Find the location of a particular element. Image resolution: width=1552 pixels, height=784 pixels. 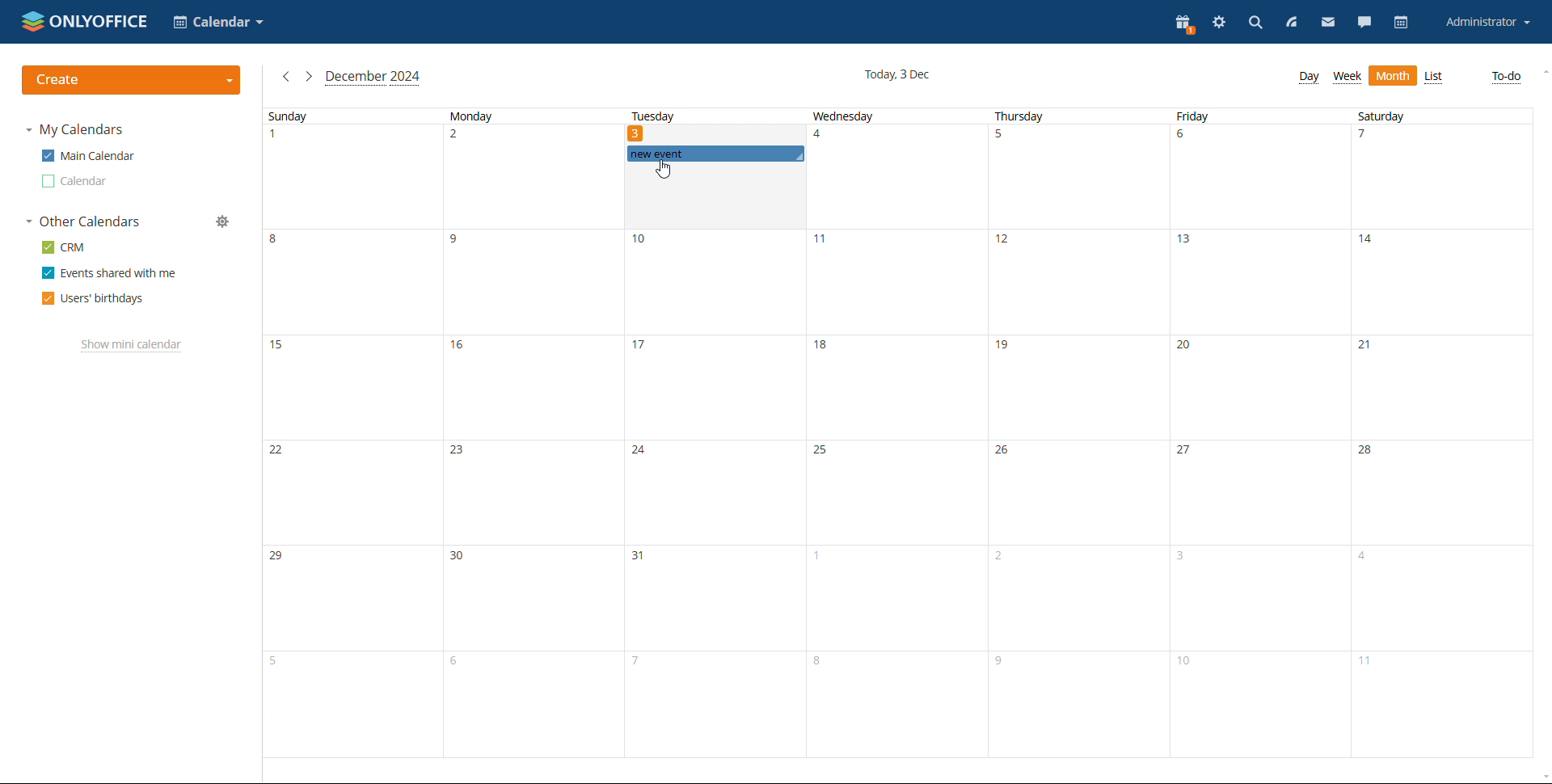

manage is located at coordinates (223, 221).